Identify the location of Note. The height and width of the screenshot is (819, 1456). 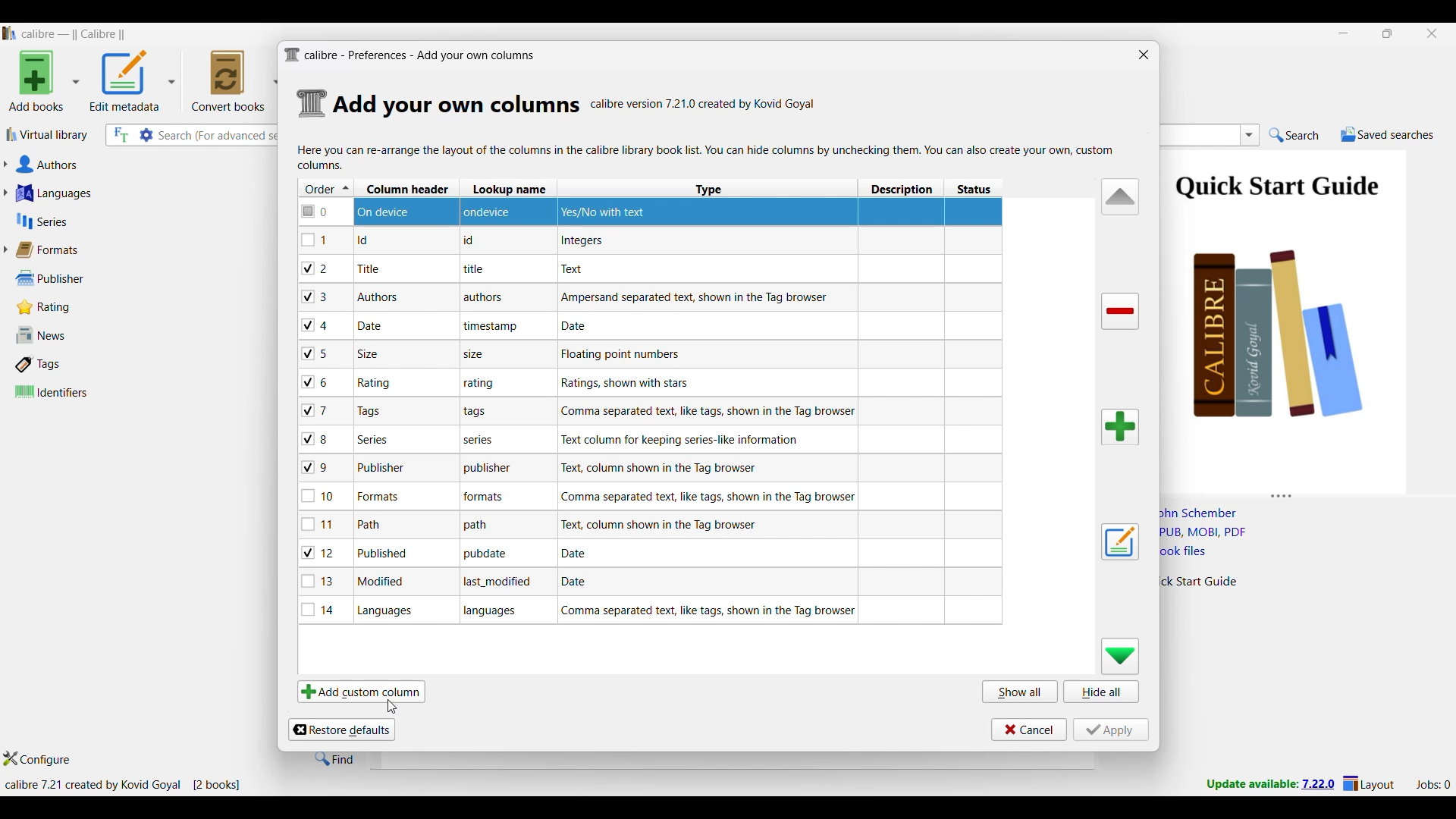
(385, 582).